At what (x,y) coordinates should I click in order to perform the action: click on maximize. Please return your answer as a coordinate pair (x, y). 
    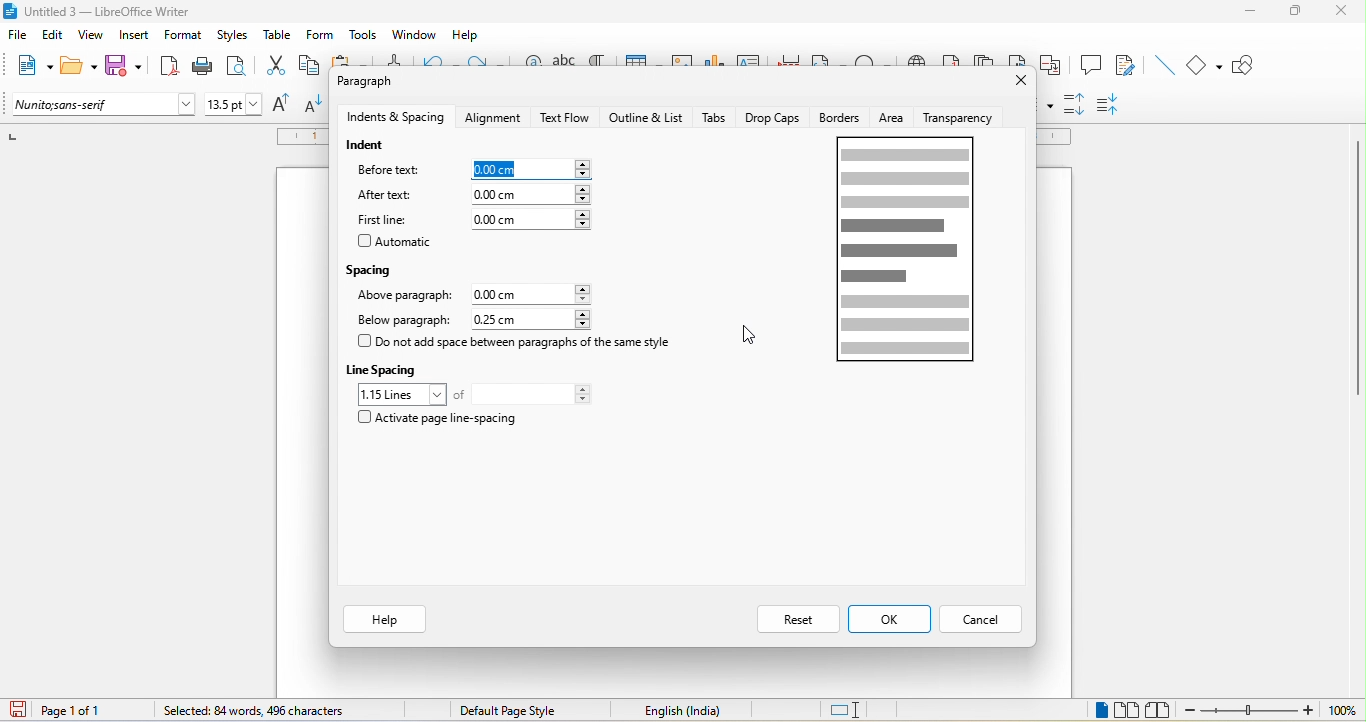
    Looking at the image, I should click on (1288, 12).